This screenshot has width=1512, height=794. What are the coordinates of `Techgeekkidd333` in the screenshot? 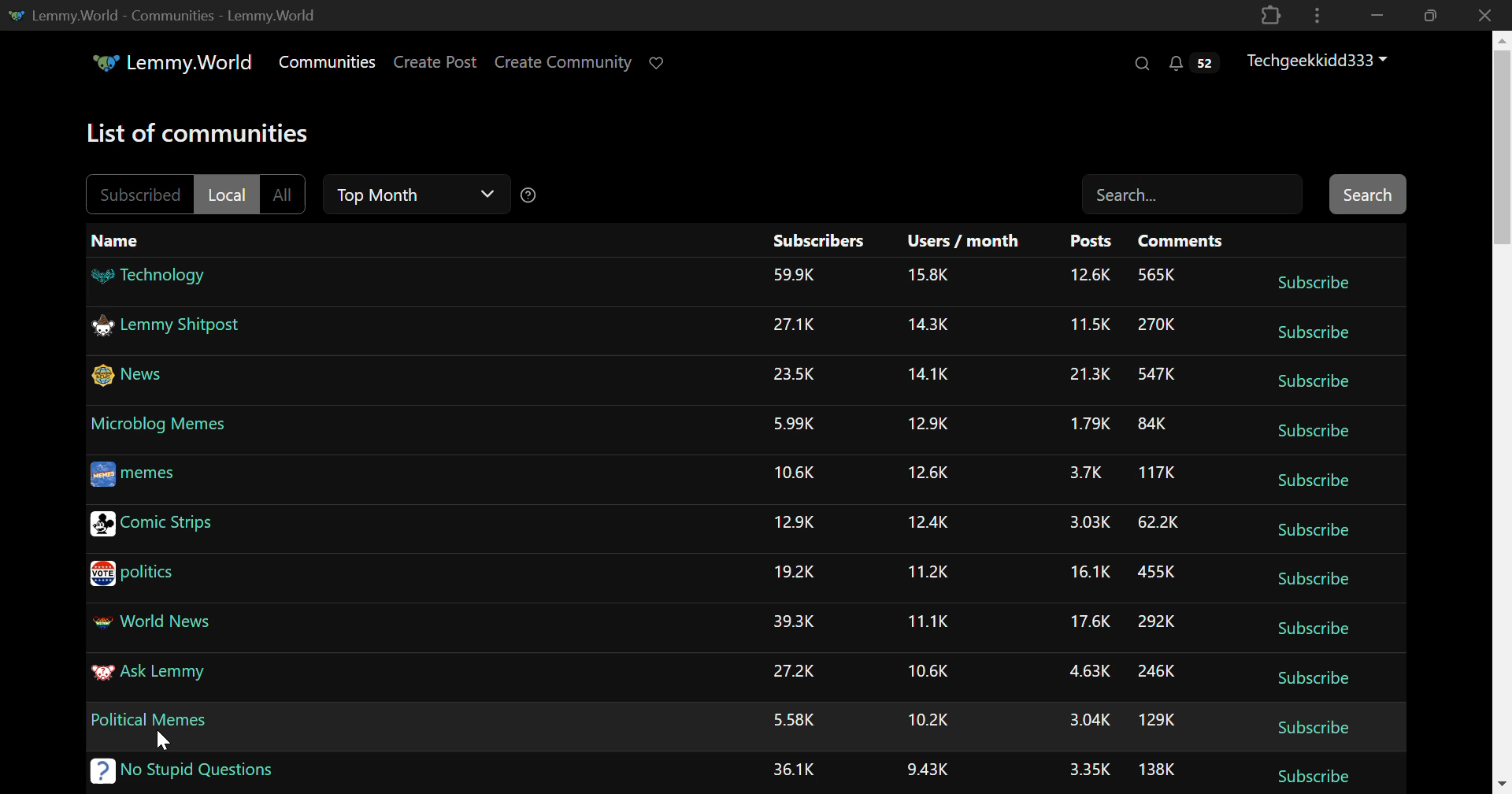 It's located at (1317, 61).